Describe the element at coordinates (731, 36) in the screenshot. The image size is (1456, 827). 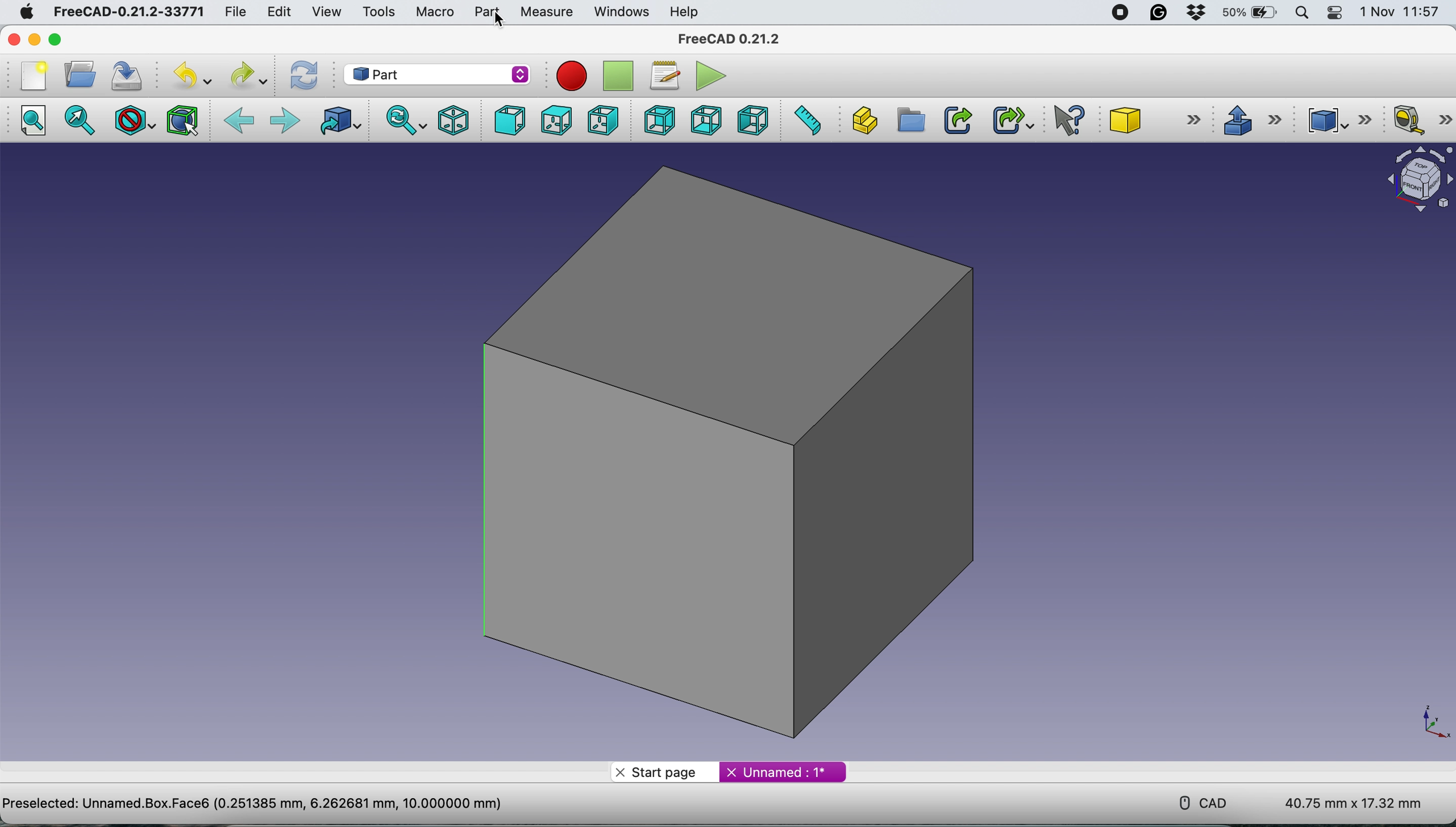
I see `freecad 0.21.2` at that location.